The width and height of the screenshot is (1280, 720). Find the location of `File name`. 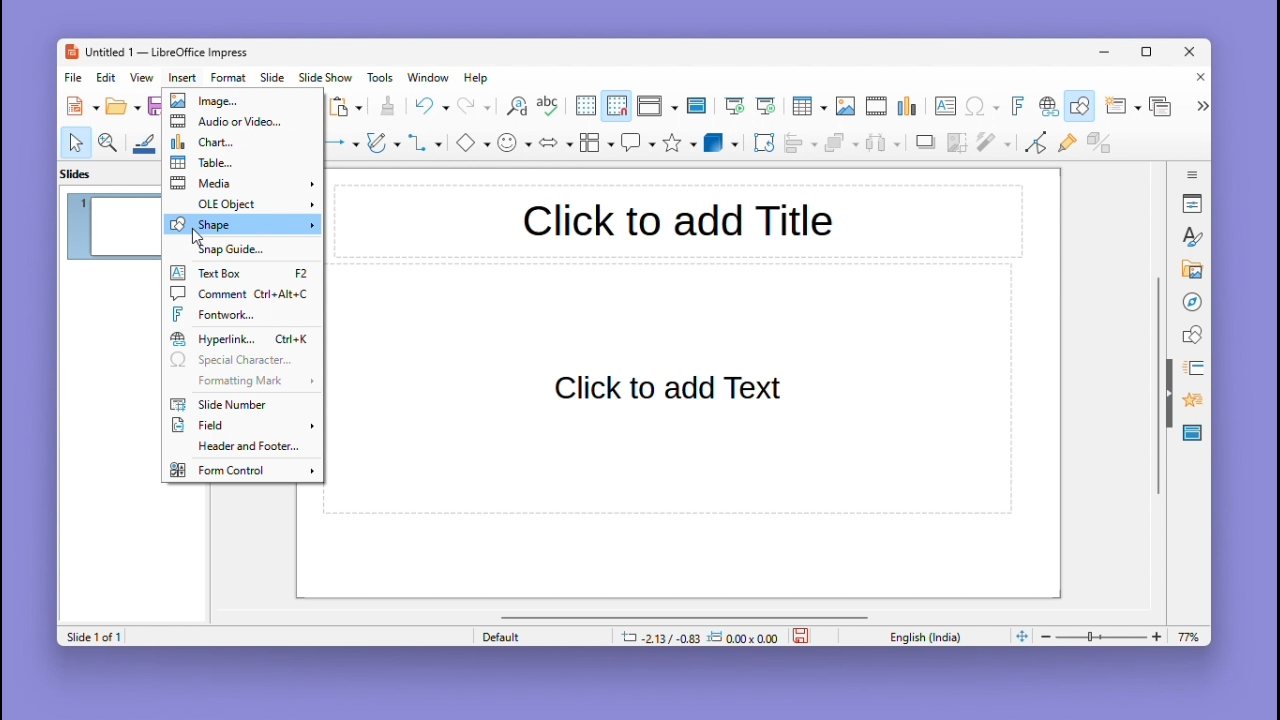

File name is located at coordinates (155, 53).